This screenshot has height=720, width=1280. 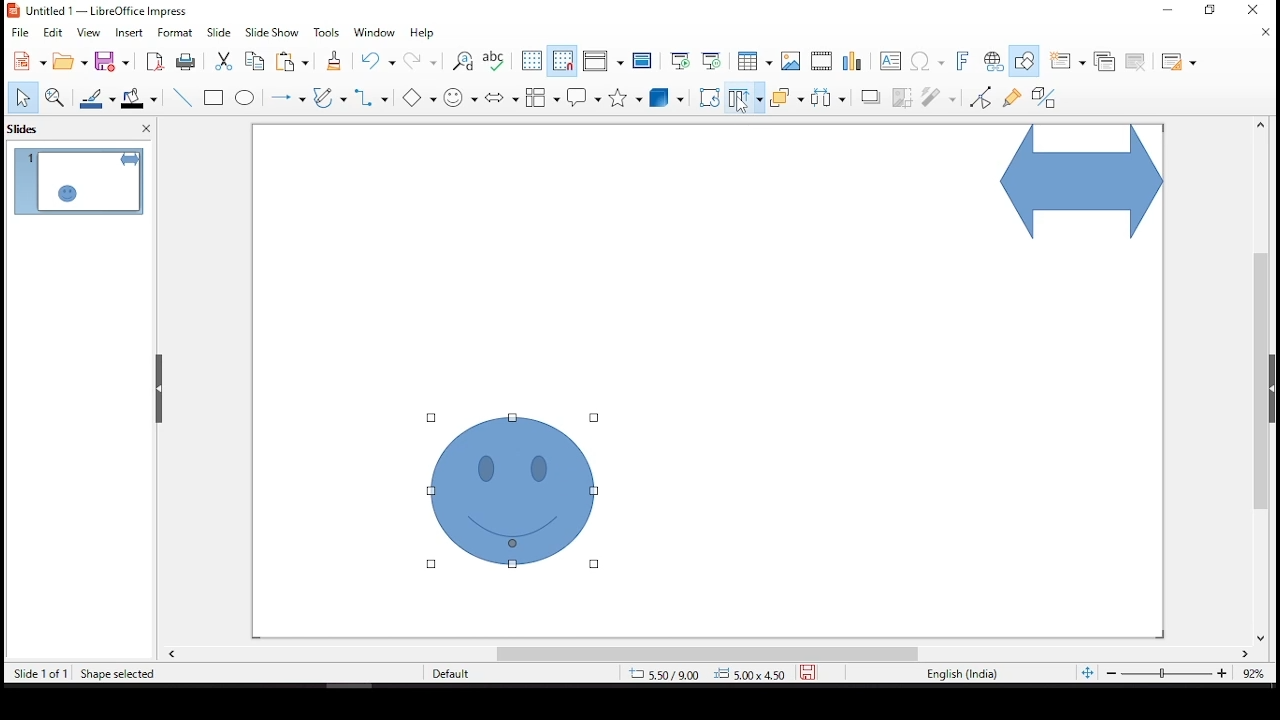 I want to click on align objects, so click(x=745, y=96).